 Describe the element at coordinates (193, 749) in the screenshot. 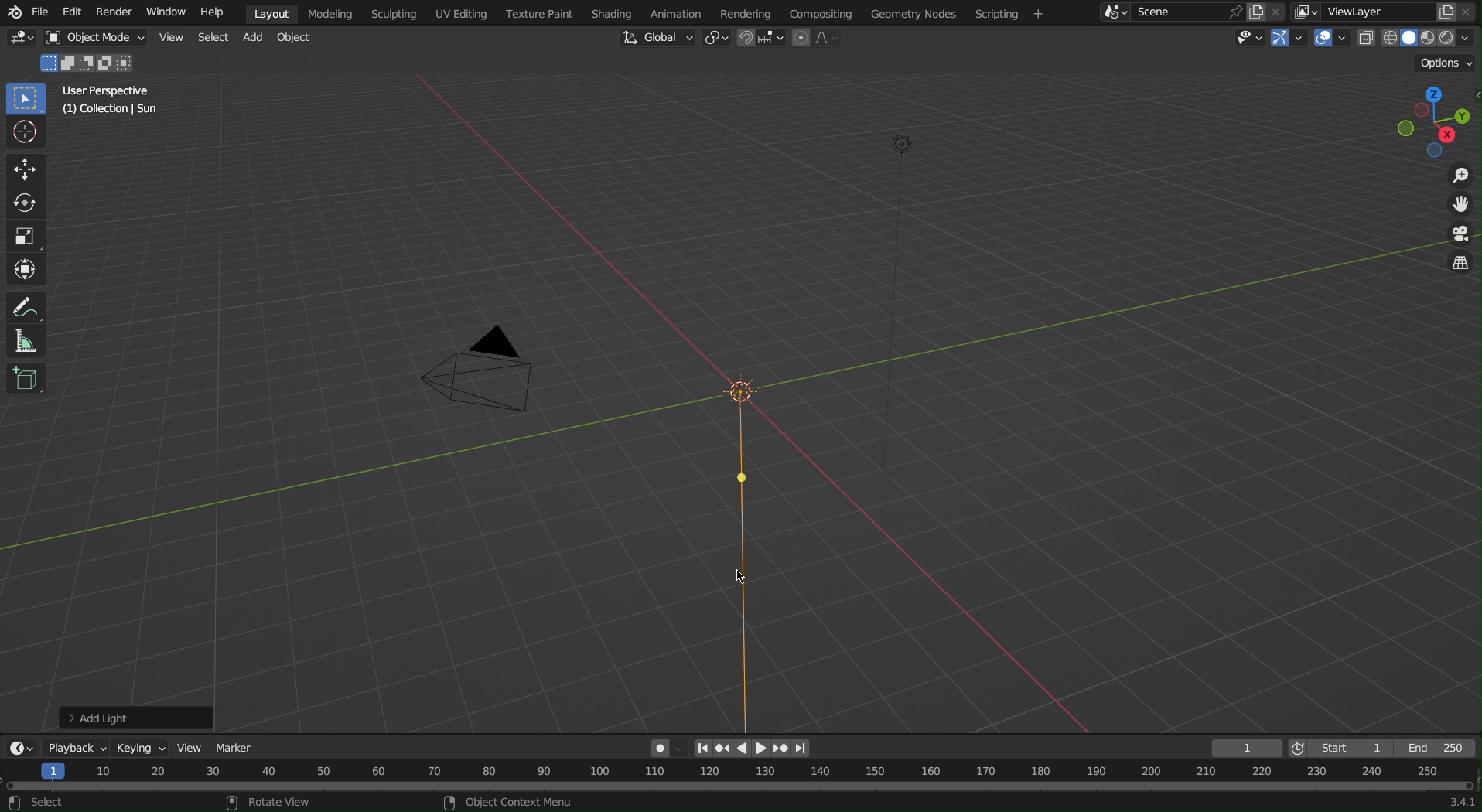

I see `View` at that location.